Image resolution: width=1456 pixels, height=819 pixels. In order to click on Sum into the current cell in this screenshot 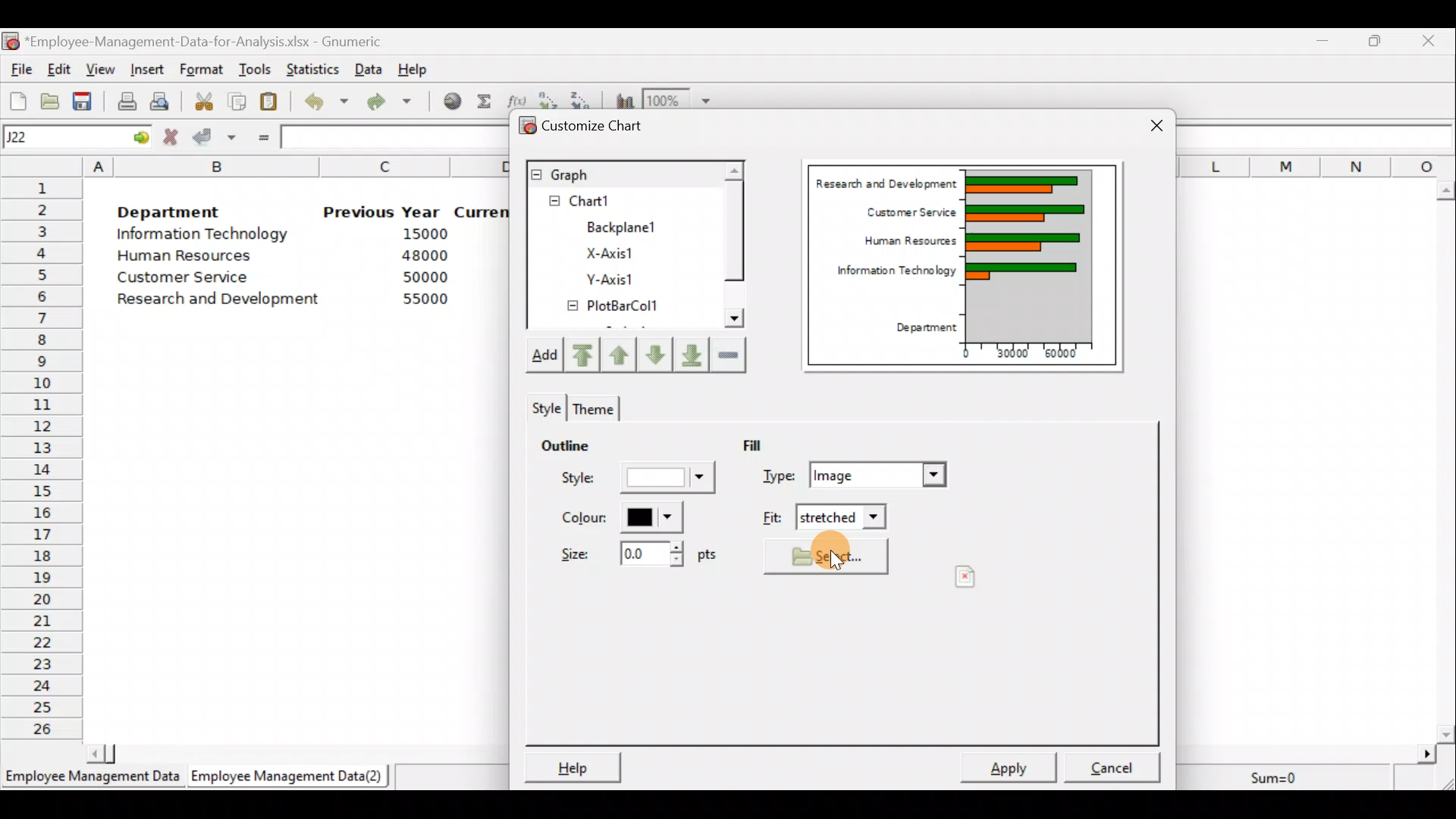, I will do `click(485, 105)`.